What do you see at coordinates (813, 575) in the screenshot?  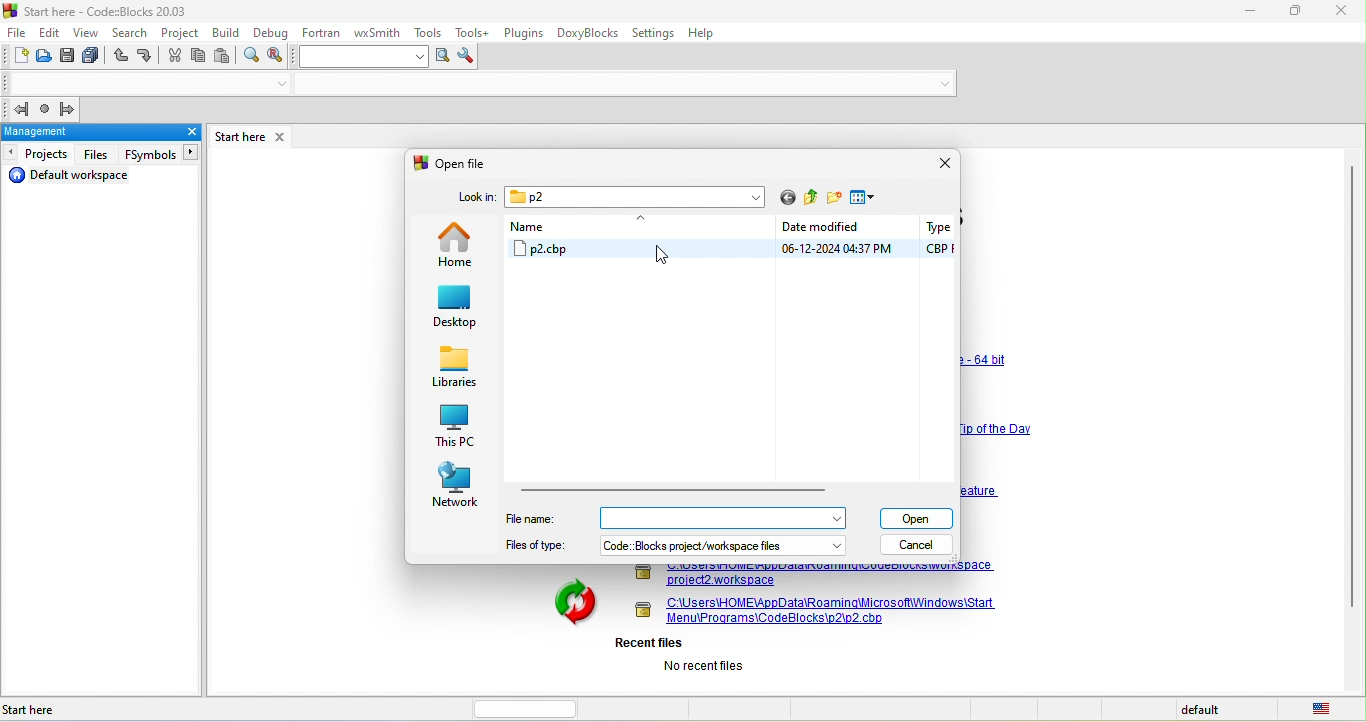 I see `link` at bounding box center [813, 575].